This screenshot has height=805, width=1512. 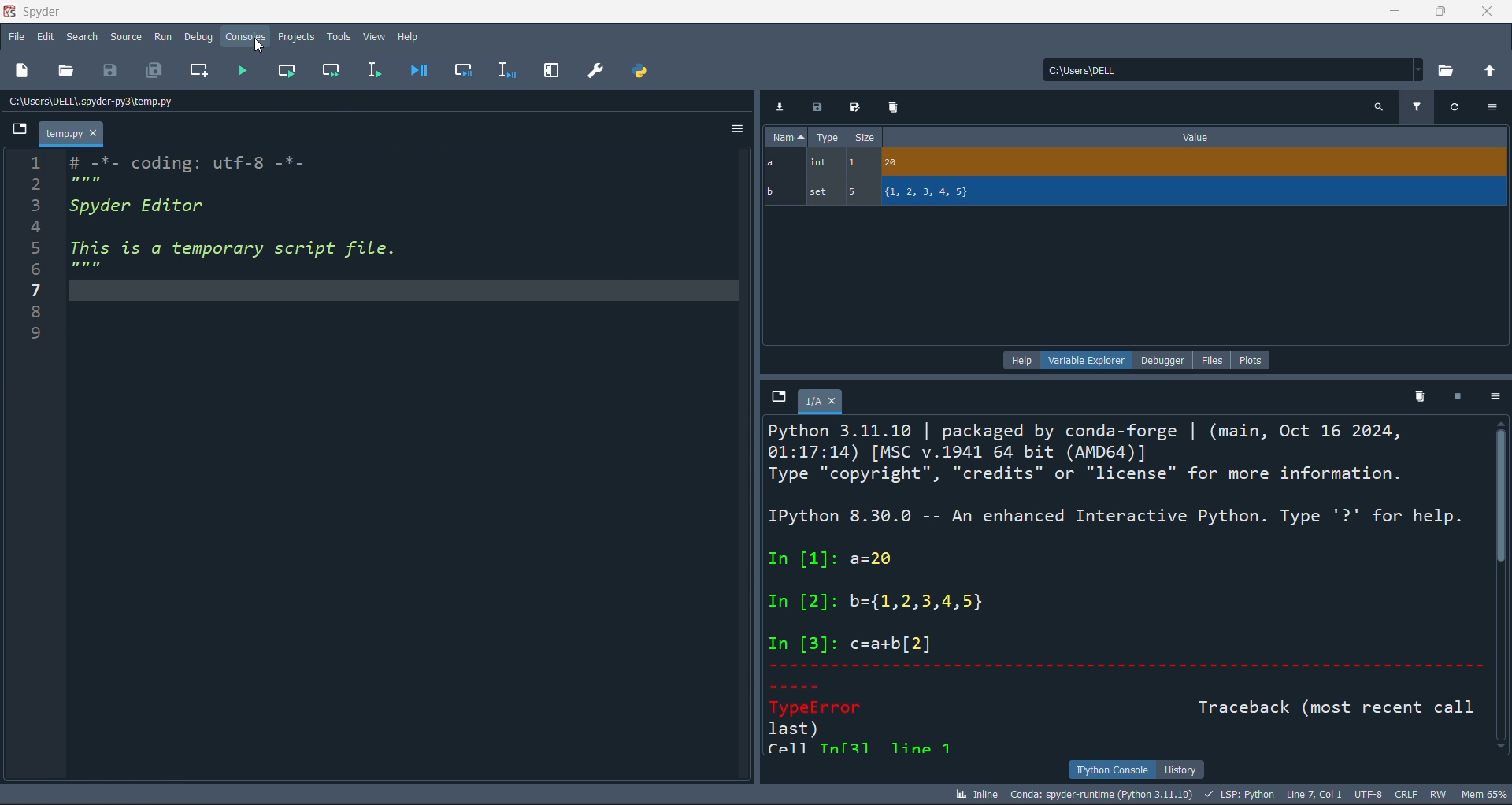 I want to click on a, int, 1, 20, so click(x=1136, y=162).